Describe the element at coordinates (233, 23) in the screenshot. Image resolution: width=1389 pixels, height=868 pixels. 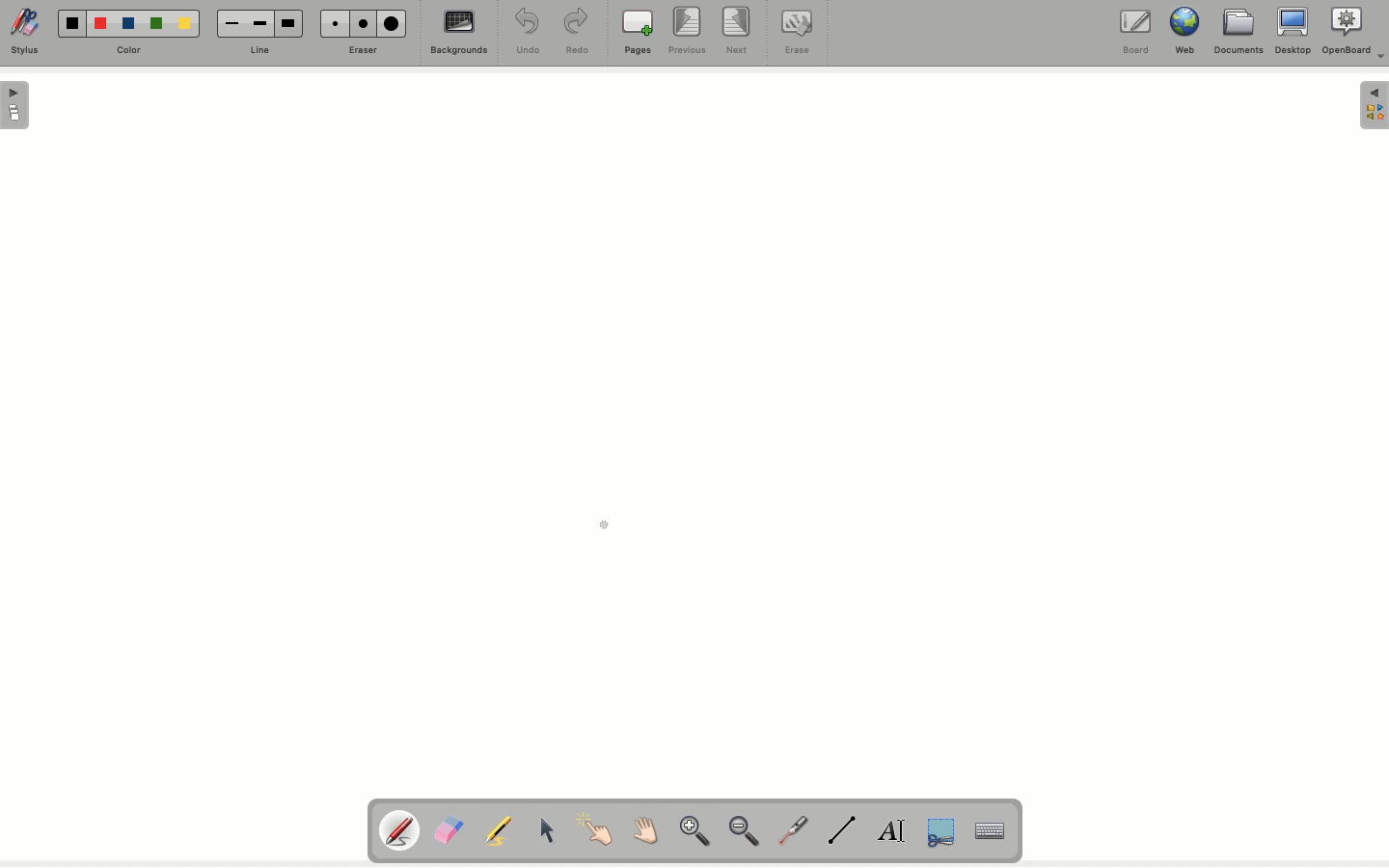
I see `Small` at that location.